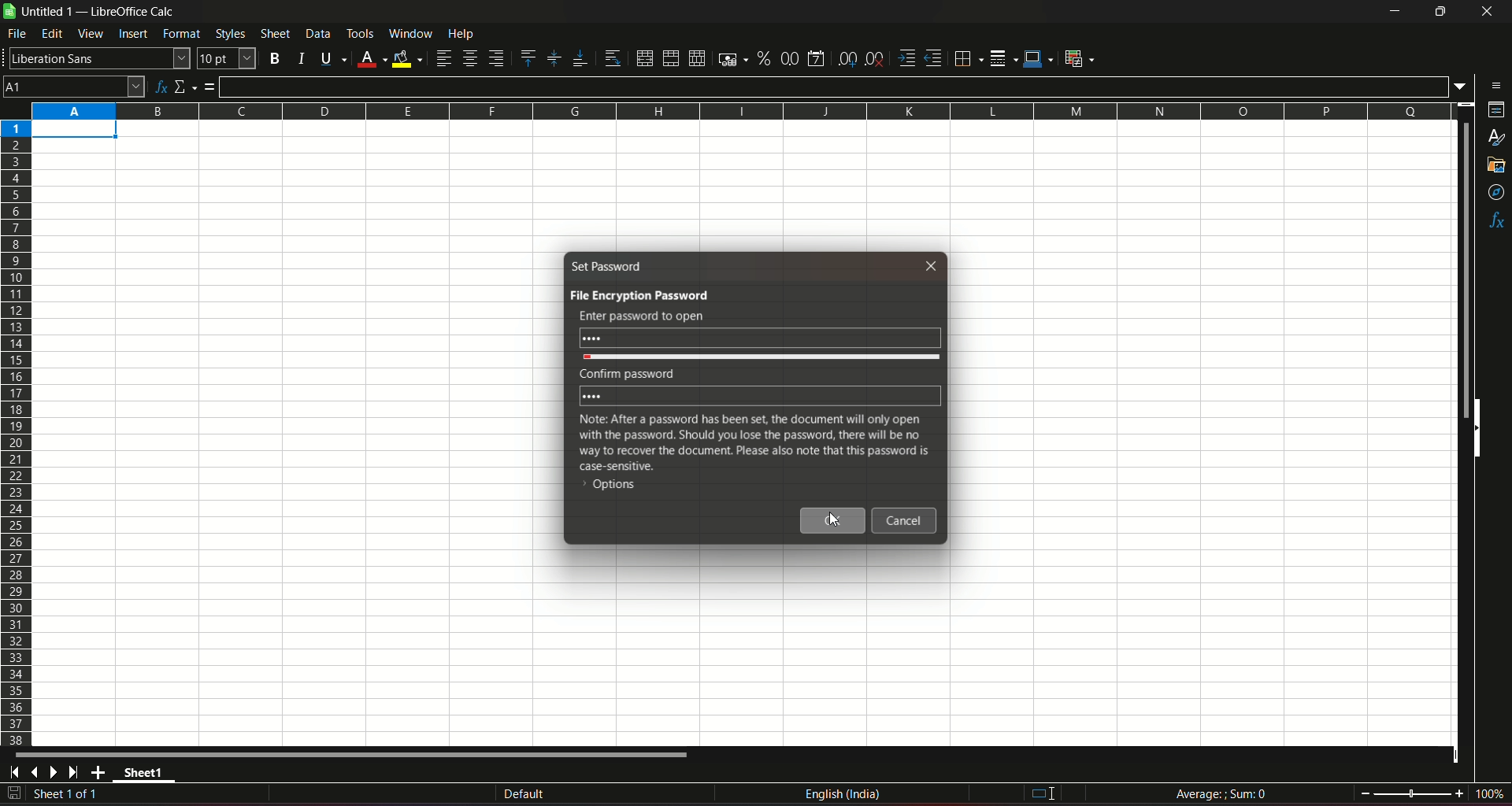 The height and width of the screenshot is (806, 1512). Describe the element at coordinates (410, 34) in the screenshot. I see `window` at that location.